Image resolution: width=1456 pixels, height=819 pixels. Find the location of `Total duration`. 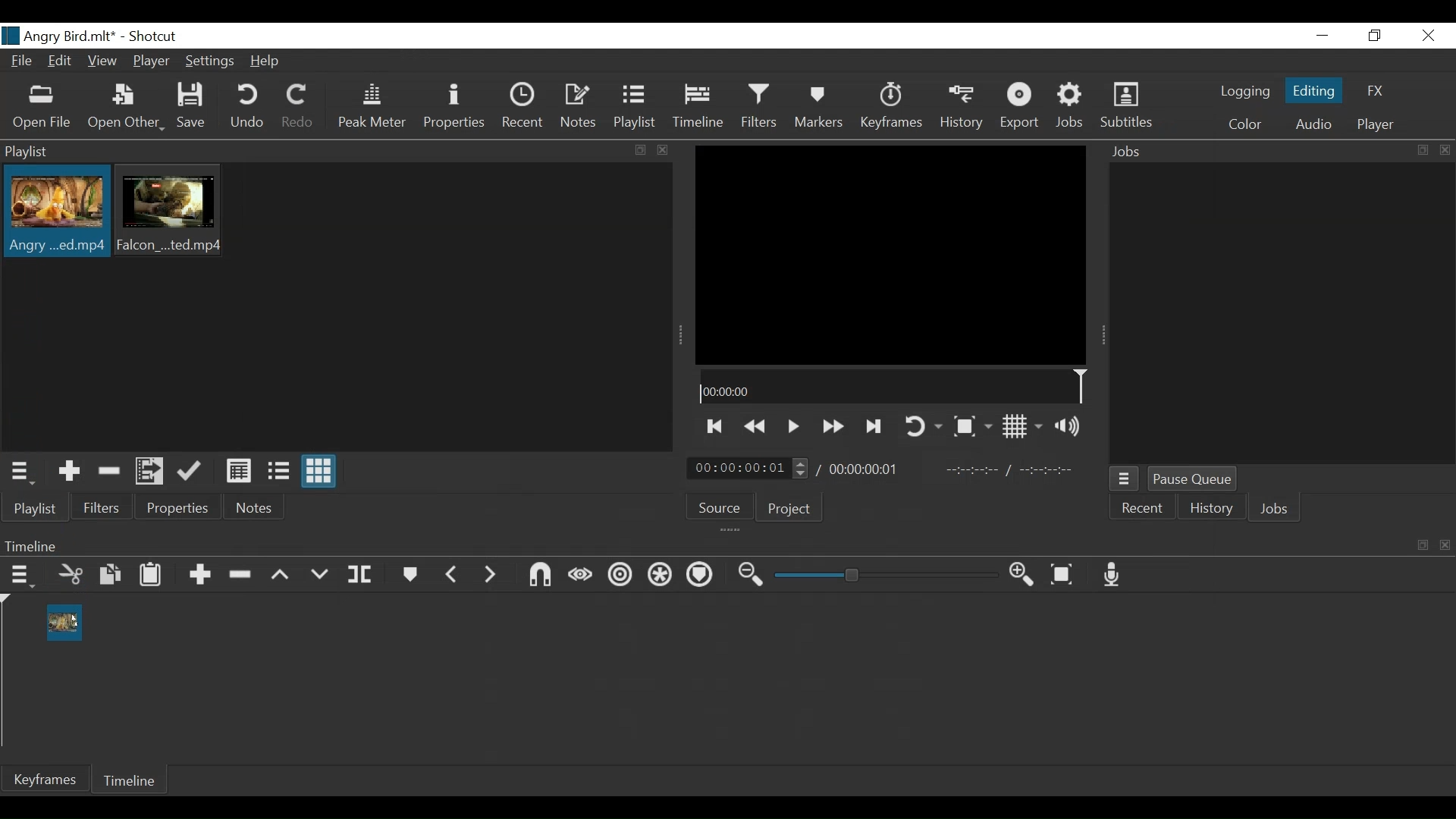

Total duration is located at coordinates (865, 469).